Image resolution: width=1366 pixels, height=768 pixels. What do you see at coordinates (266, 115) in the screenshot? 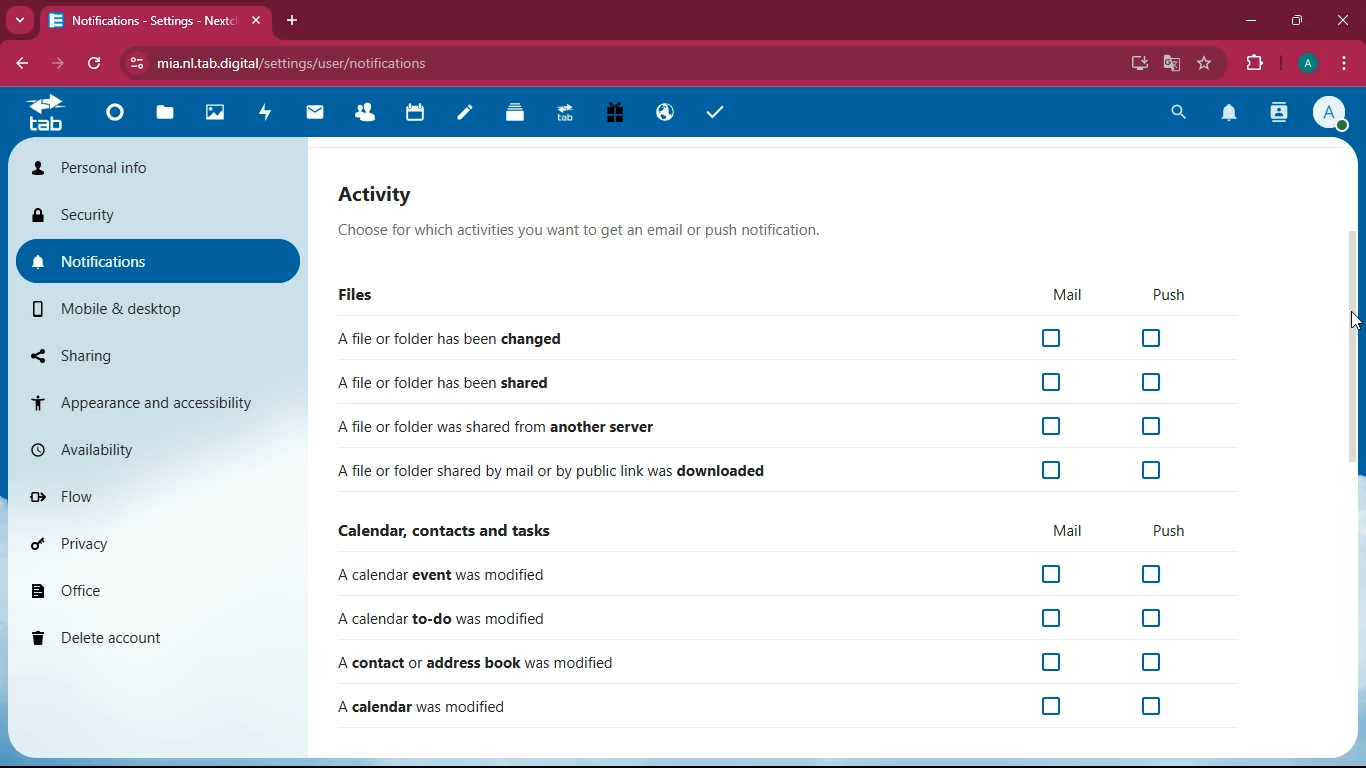
I see `activity` at bounding box center [266, 115].